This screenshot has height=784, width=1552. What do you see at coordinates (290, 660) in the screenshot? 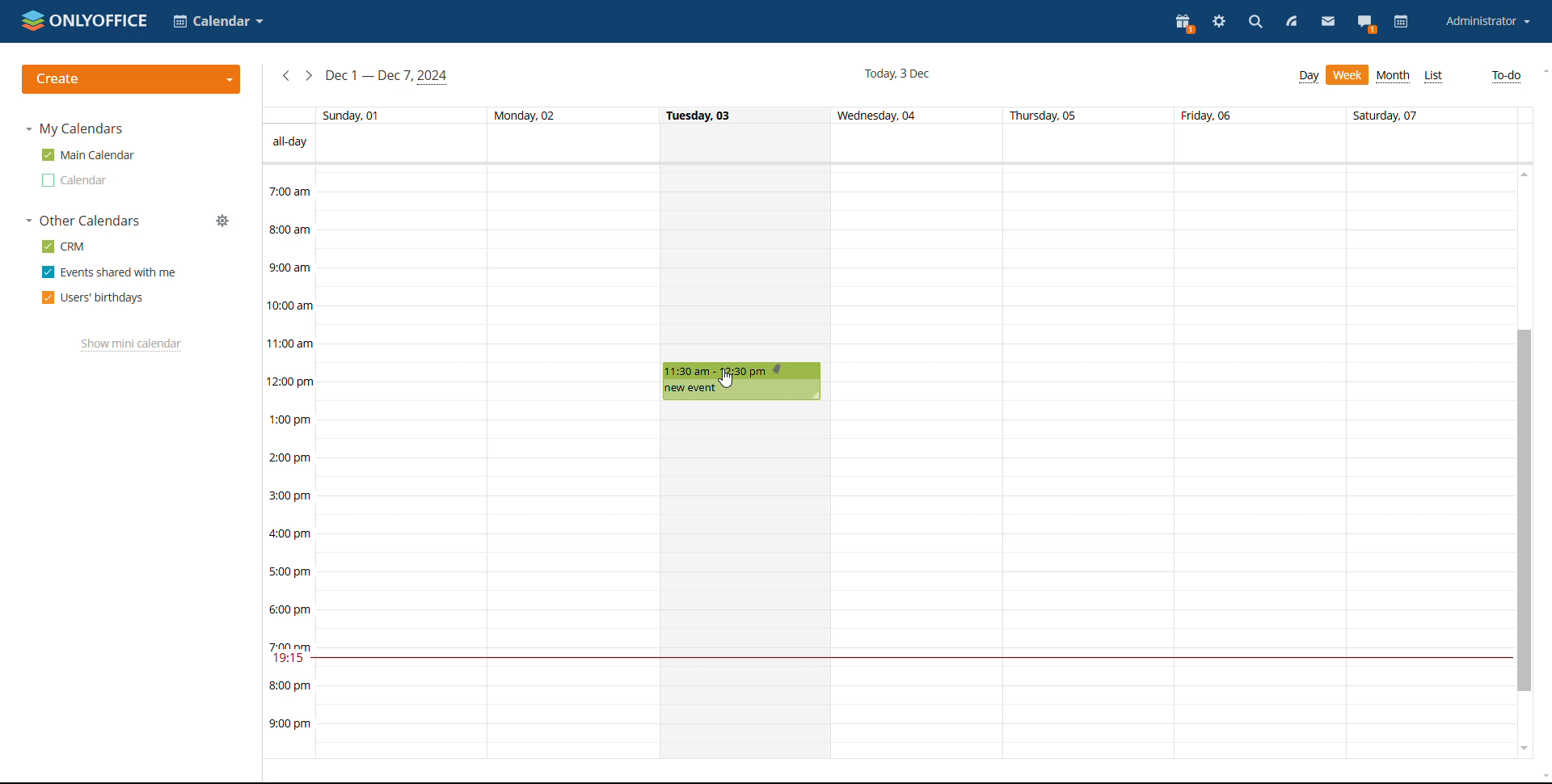
I see `19:15` at bounding box center [290, 660].